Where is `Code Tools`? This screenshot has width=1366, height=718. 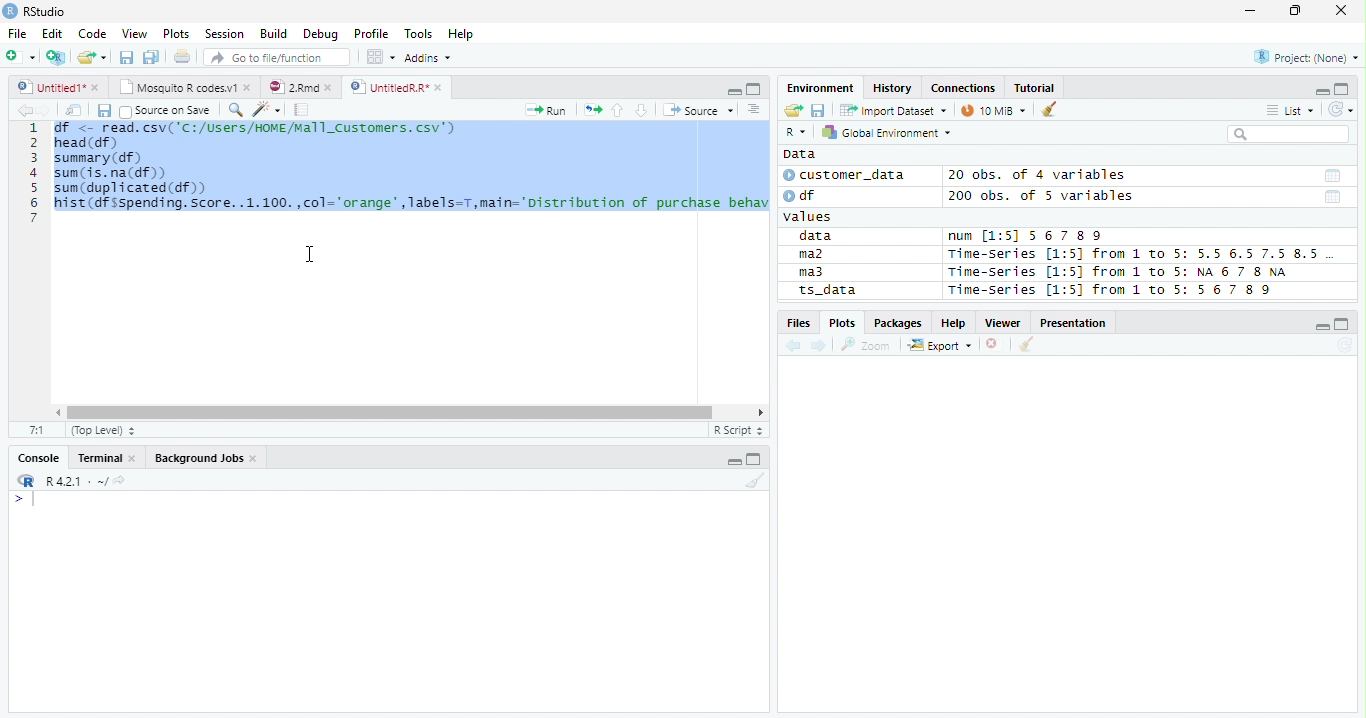 Code Tools is located at coordinates (266, 110).